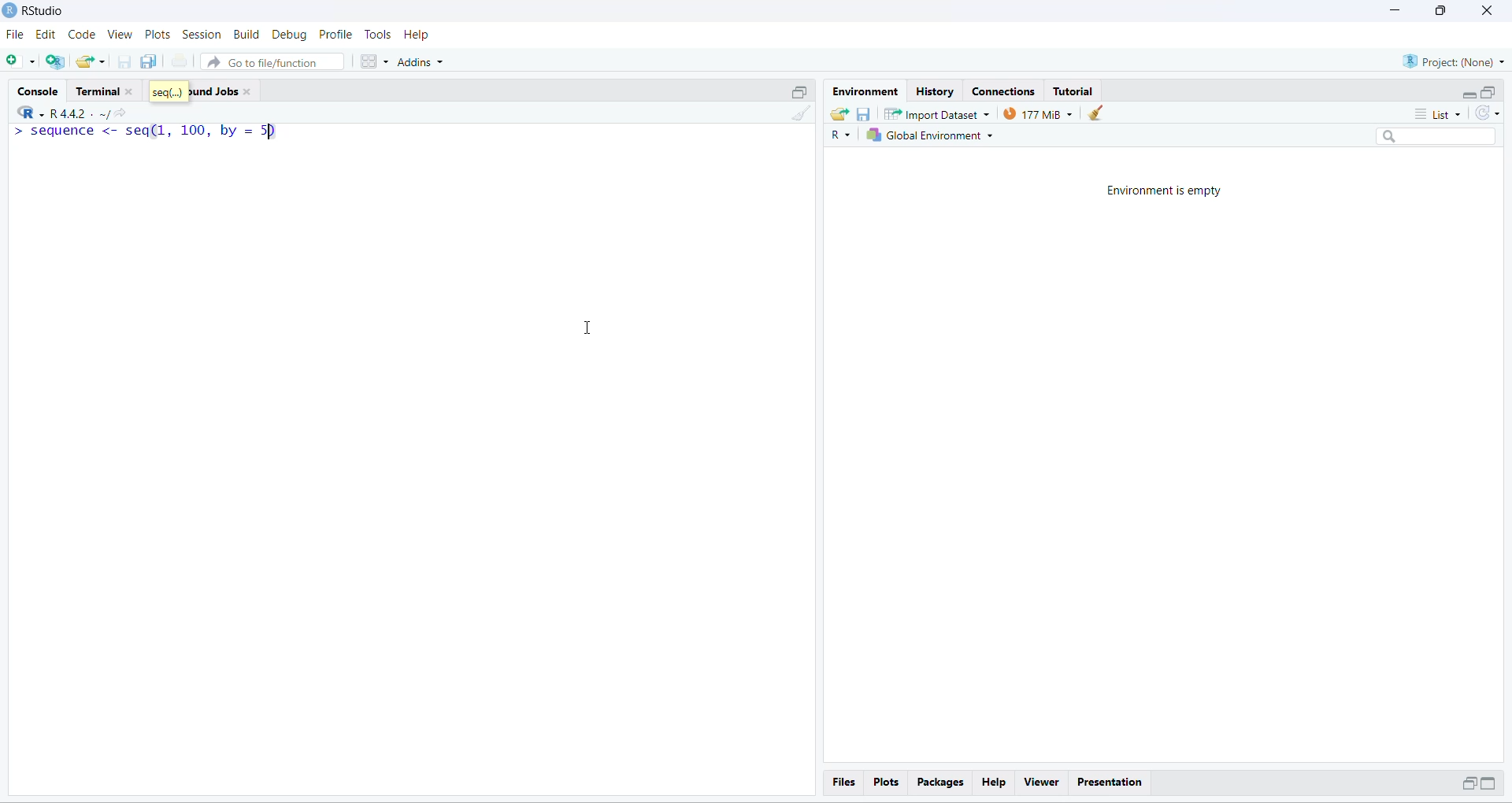  I want to click on view, so click(120, 34).